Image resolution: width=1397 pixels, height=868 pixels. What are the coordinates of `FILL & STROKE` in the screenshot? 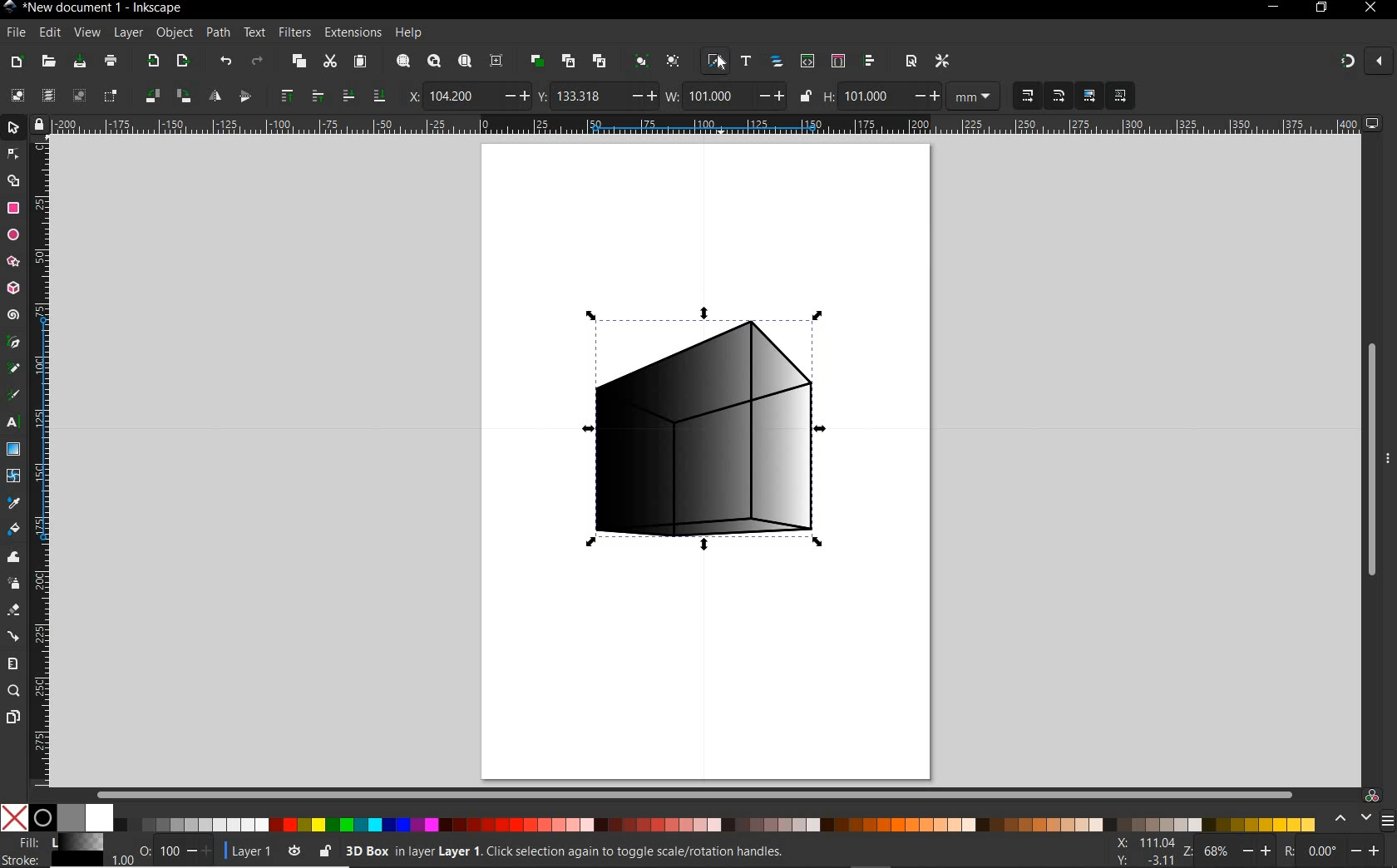 It's located at (53, 851).